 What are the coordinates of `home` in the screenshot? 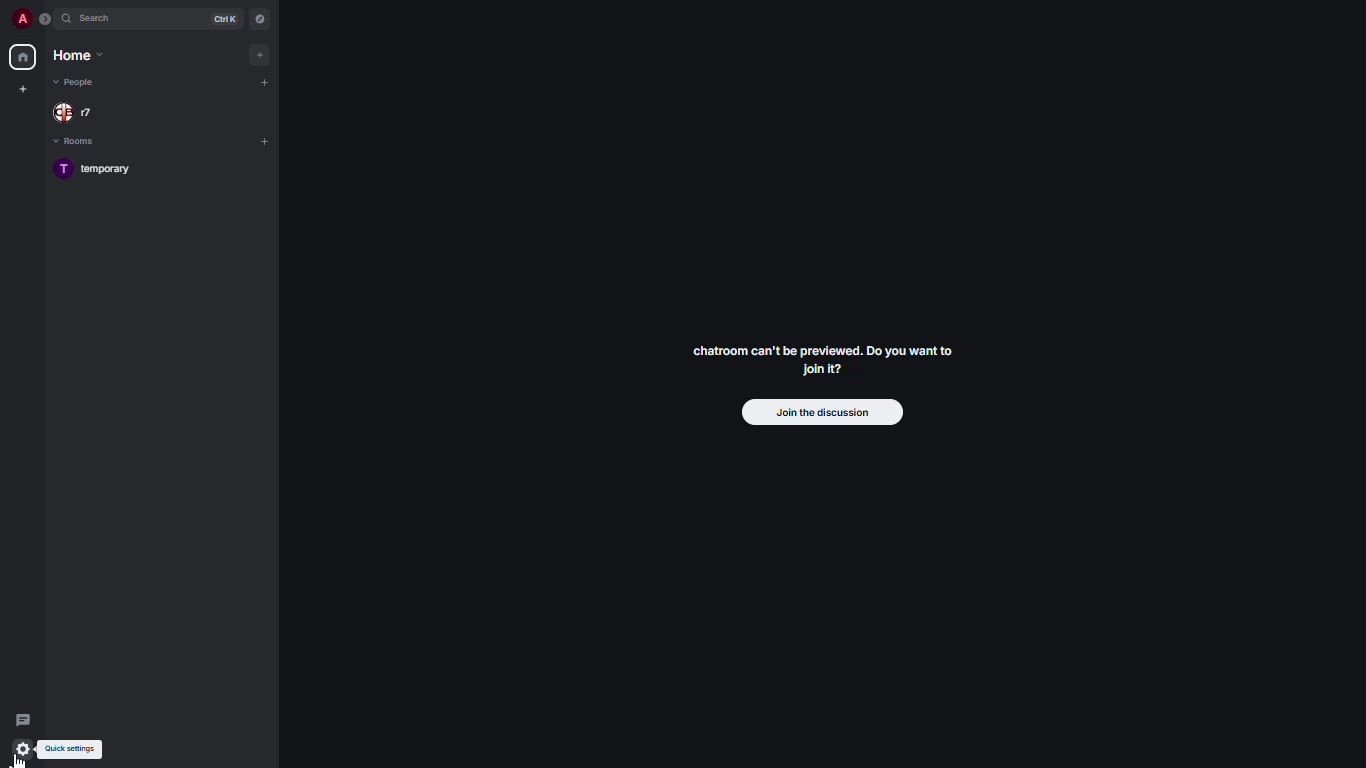 It's located at (23, 58).